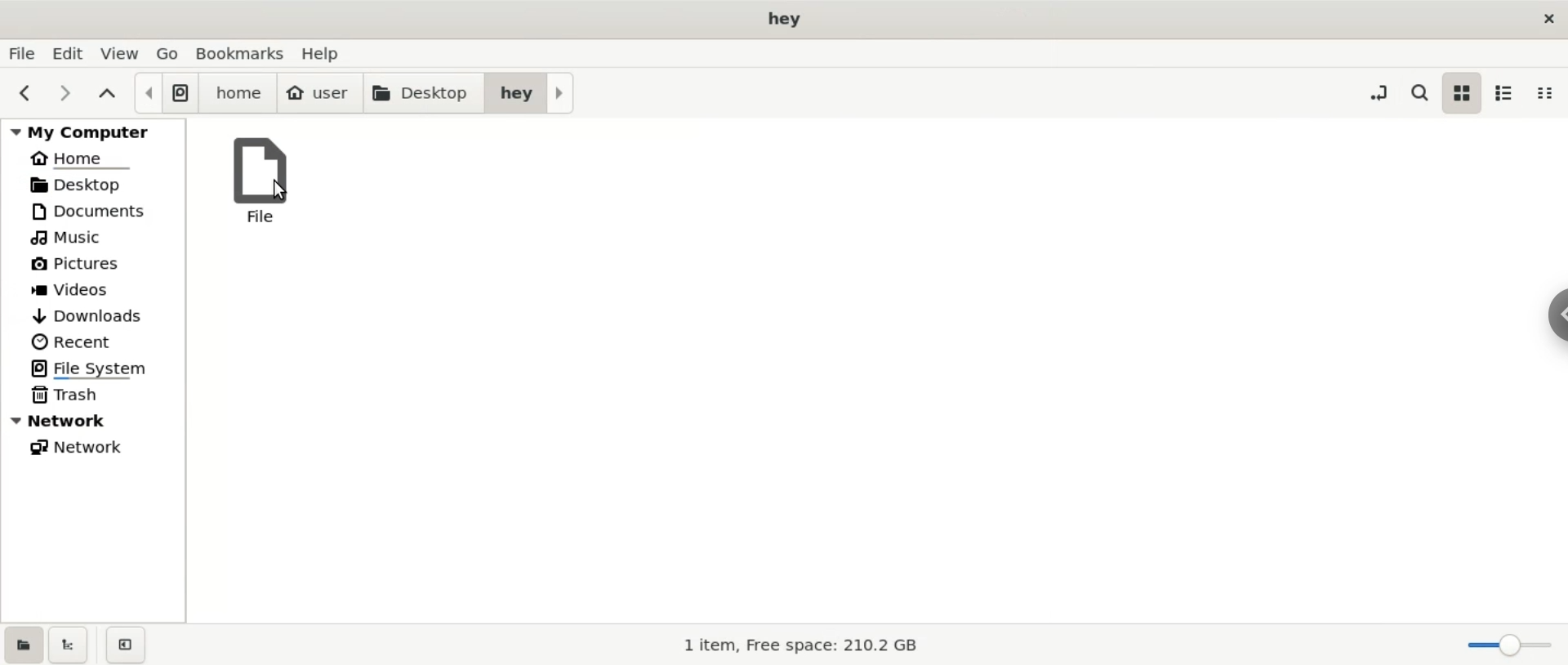 This screenshot has height=665, width=1568. I want to click on desktop, so click(422, 94).